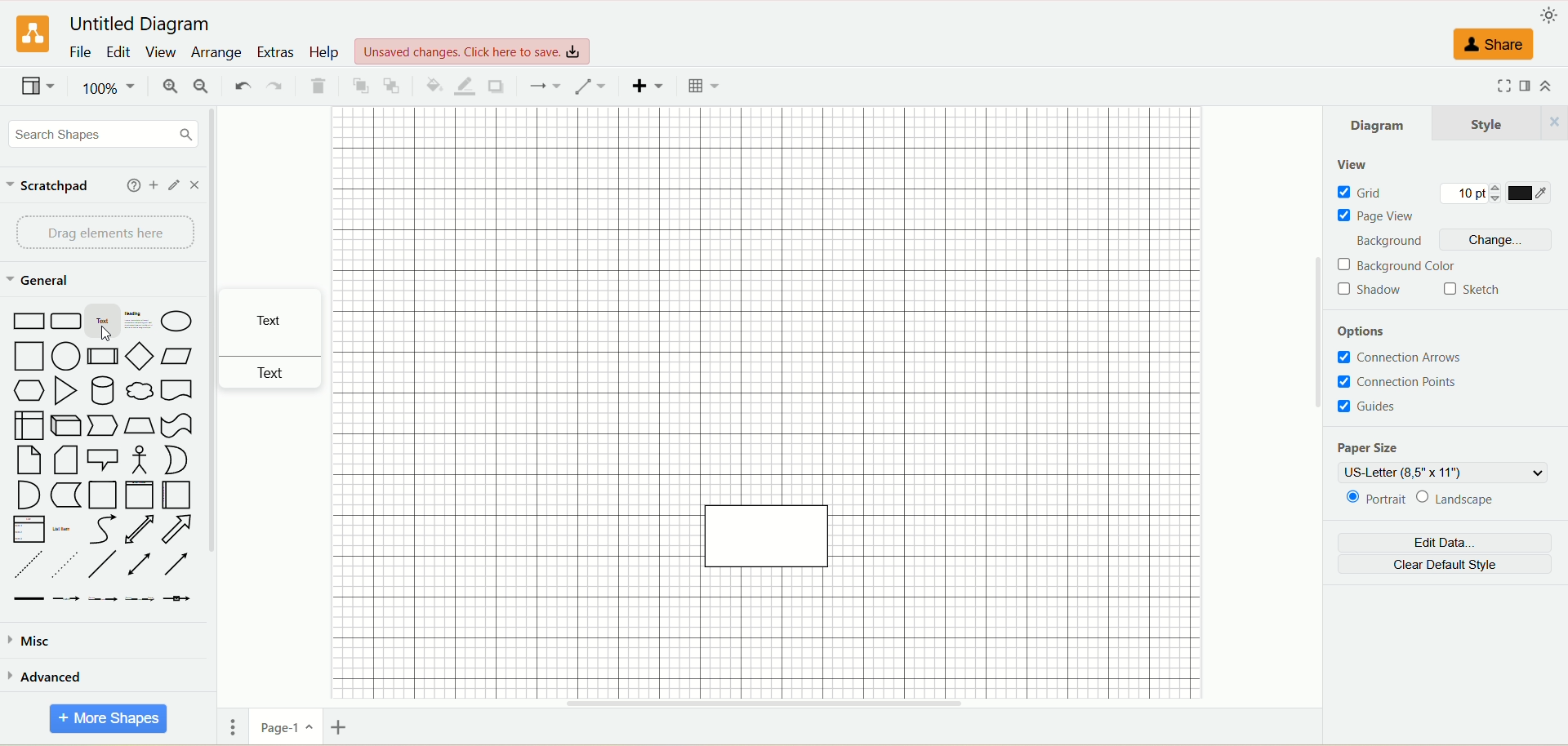 The width and height of the screenshot is (1568, 746). I want to click on vertical container, so click(139, 493).